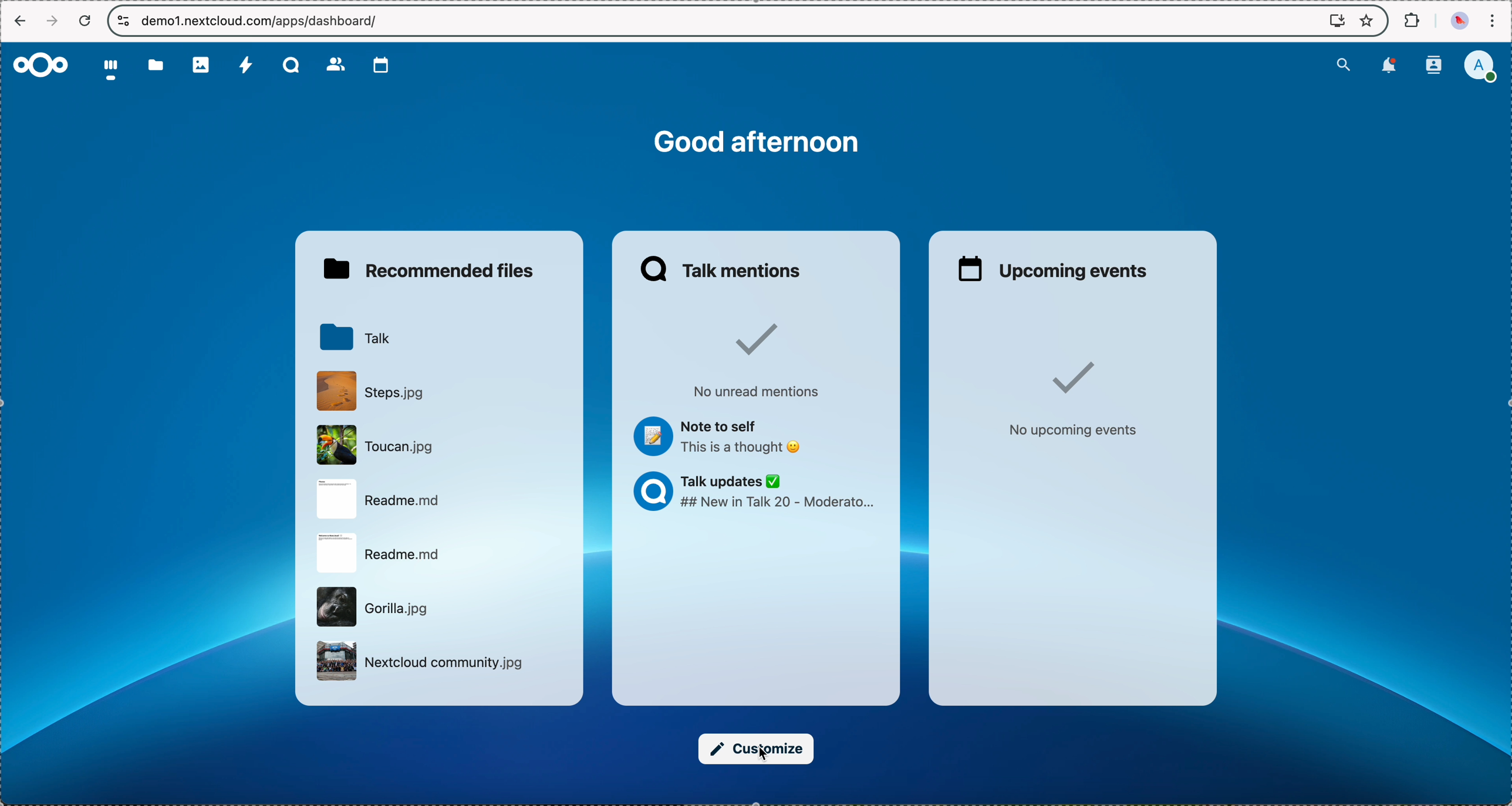 The width and height of the screenshot is (1512, 806). Describe the element at coordinates (248, 66) in the screenshot. I see `activity` at that location.